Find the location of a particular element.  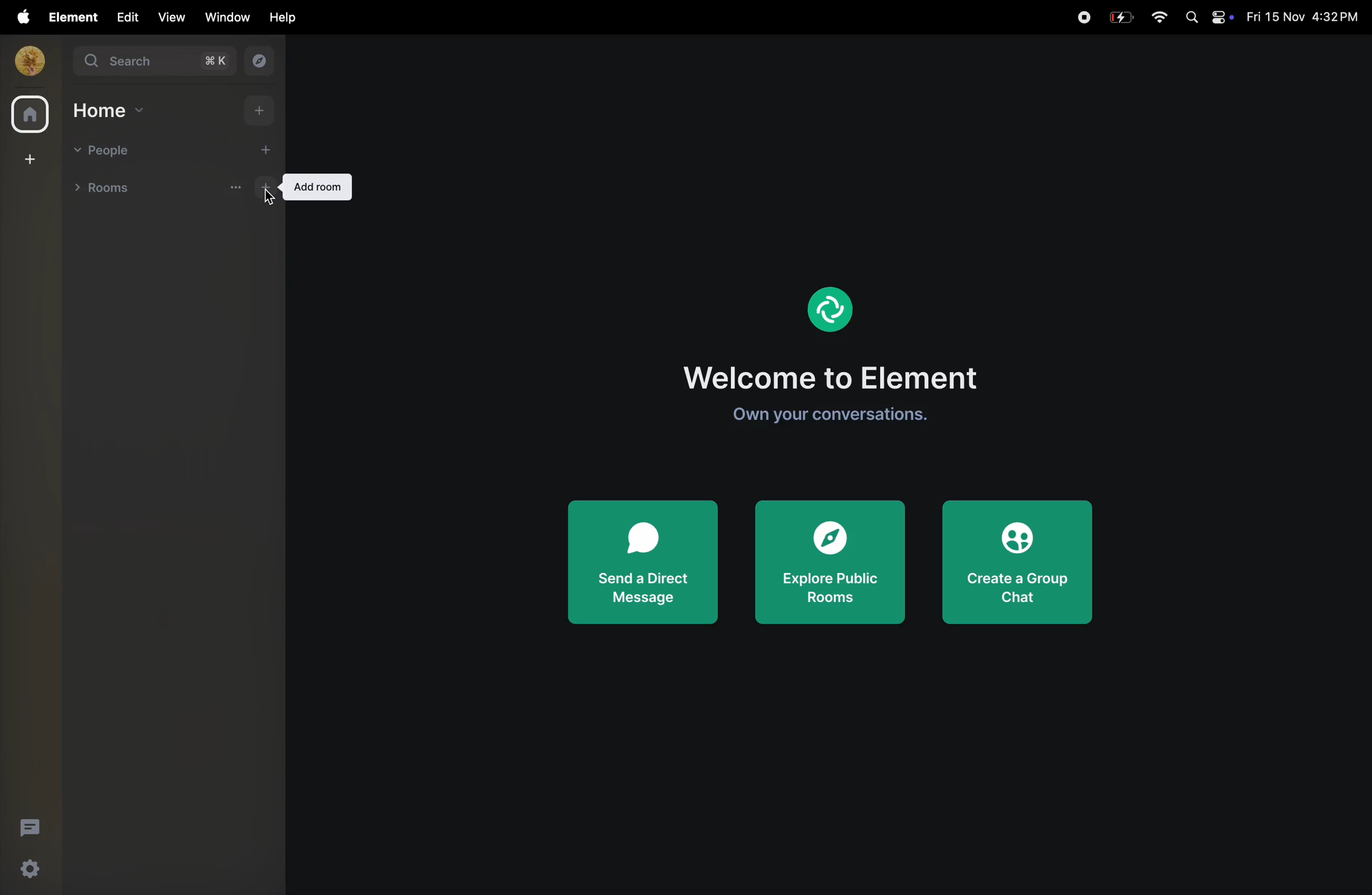

add is located at coordinates (265, 149).